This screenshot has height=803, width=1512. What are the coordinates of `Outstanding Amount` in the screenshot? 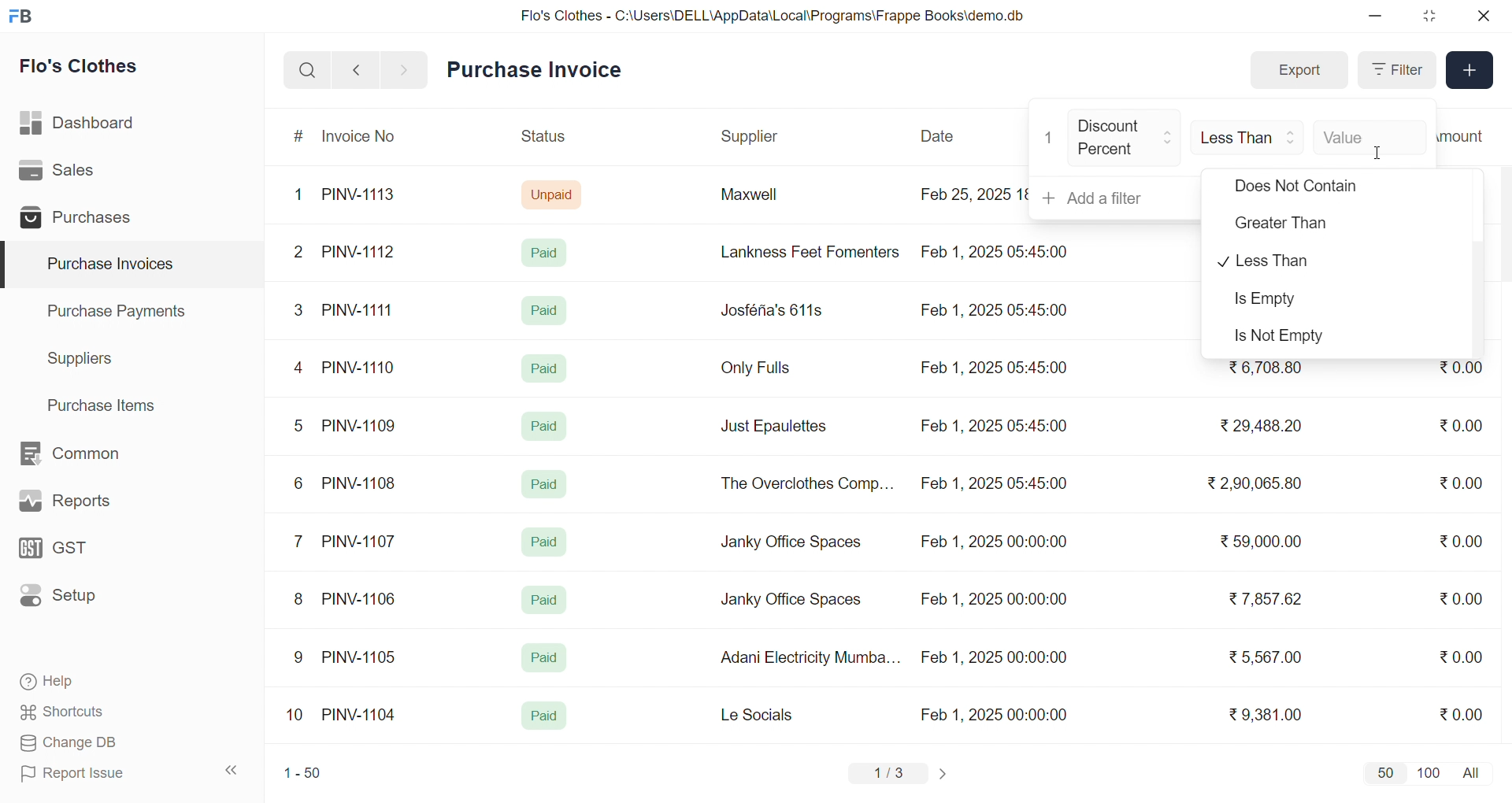 It's located at (1469, 135).